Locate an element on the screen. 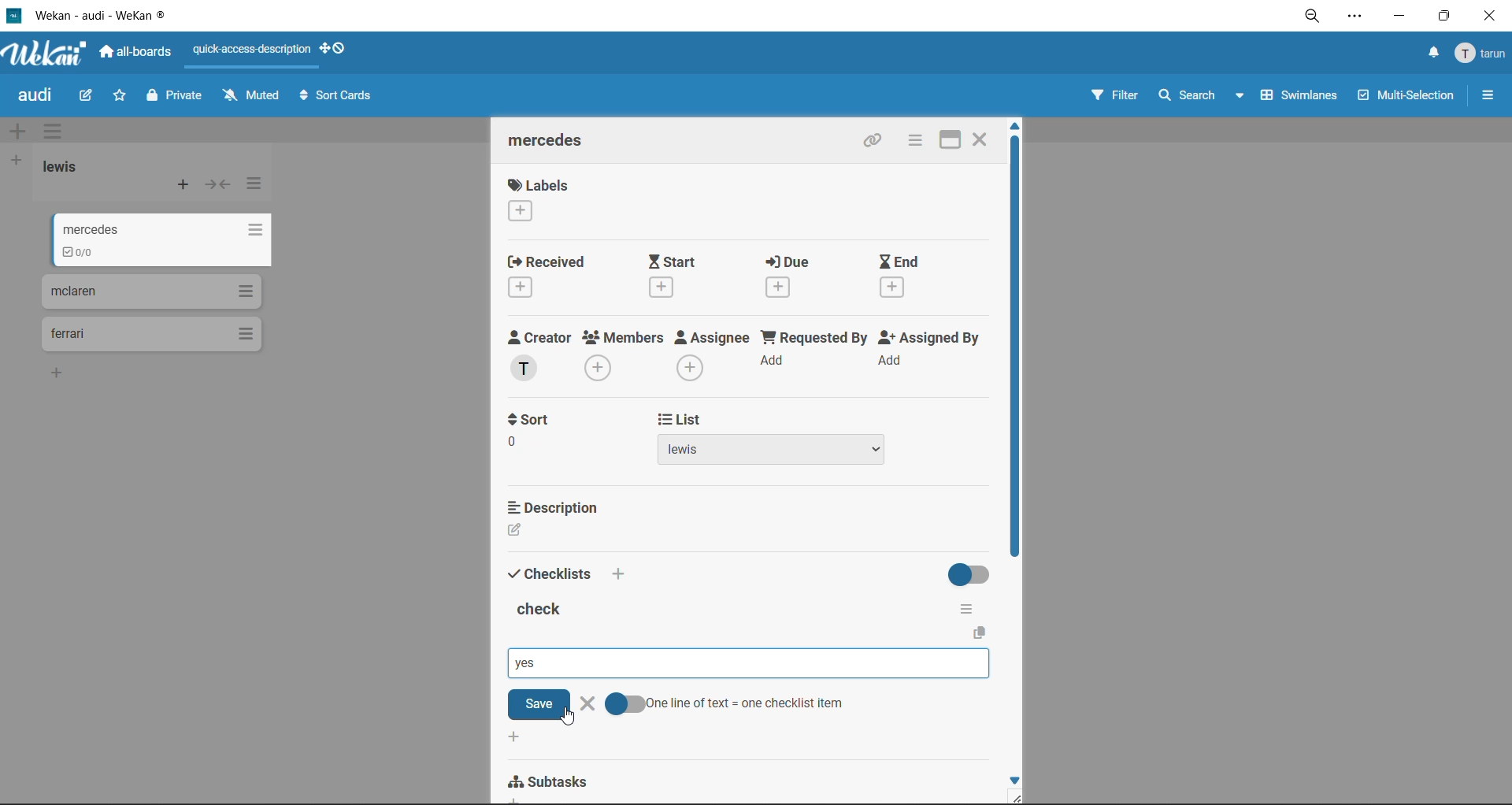  cursor is located at coordinates (569, 714).